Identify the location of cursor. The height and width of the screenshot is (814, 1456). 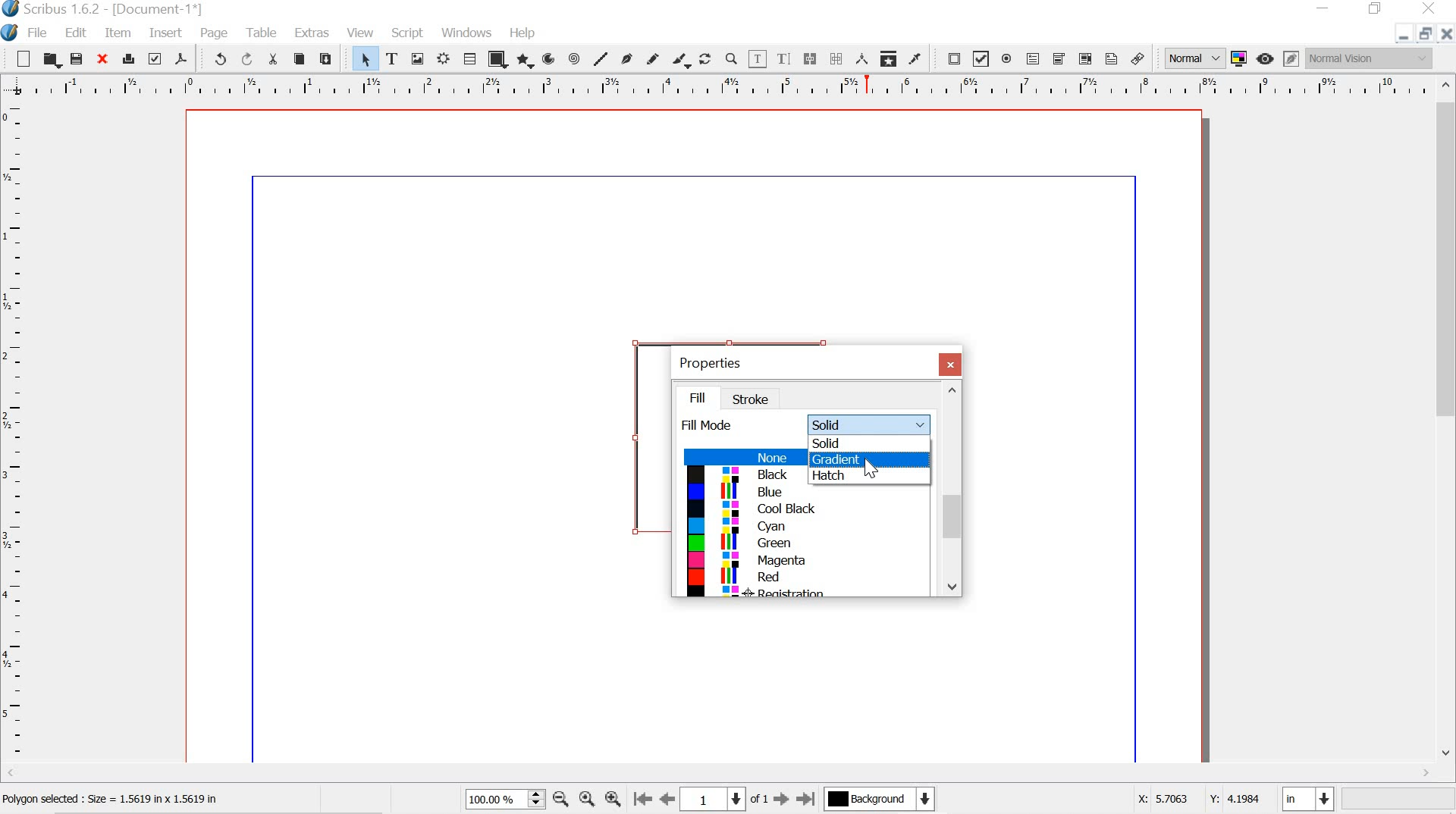
(871, 468).